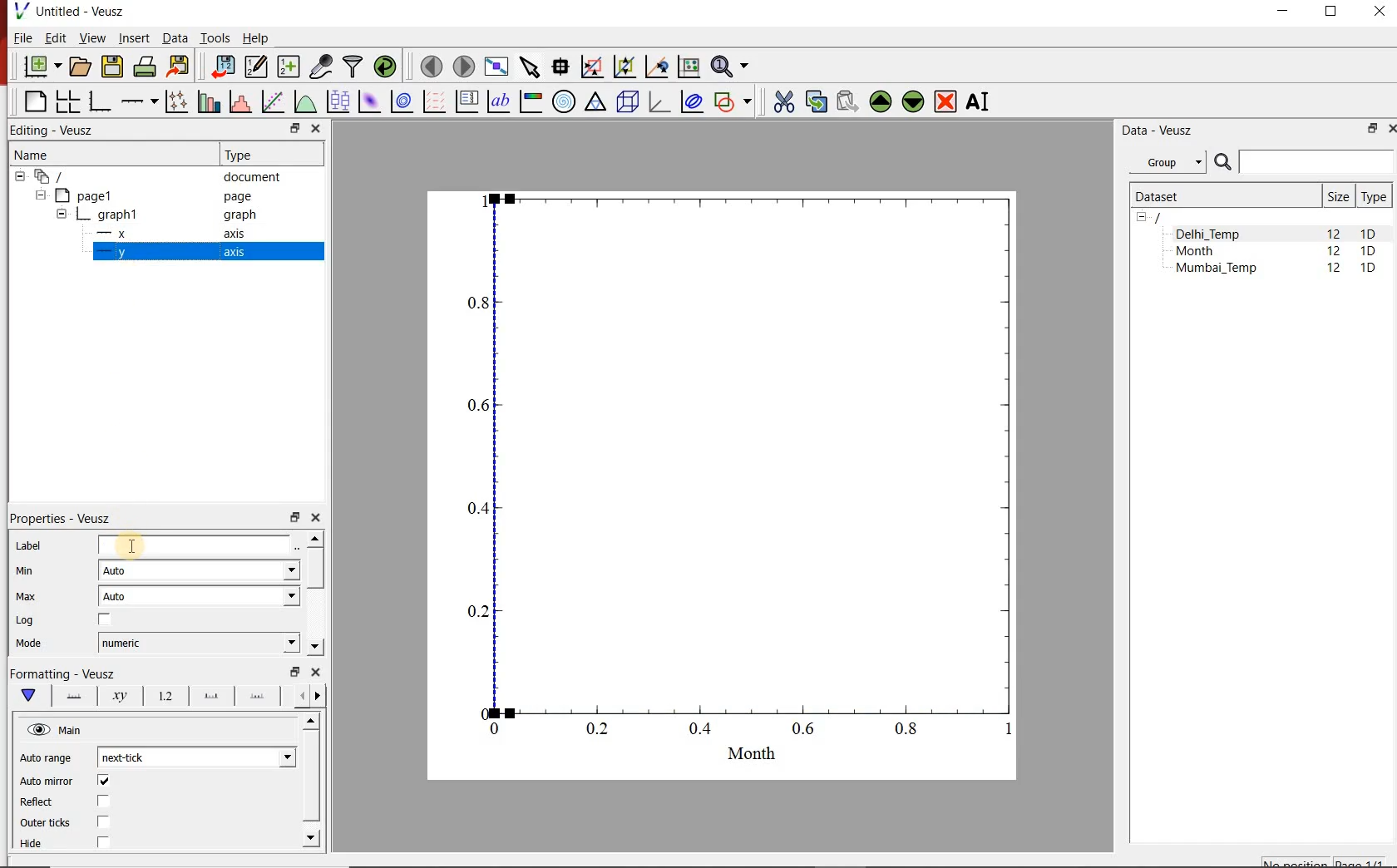  Describe the element at coordinates (464, 67) in the screenshot. I see `move to the next page` at that location.